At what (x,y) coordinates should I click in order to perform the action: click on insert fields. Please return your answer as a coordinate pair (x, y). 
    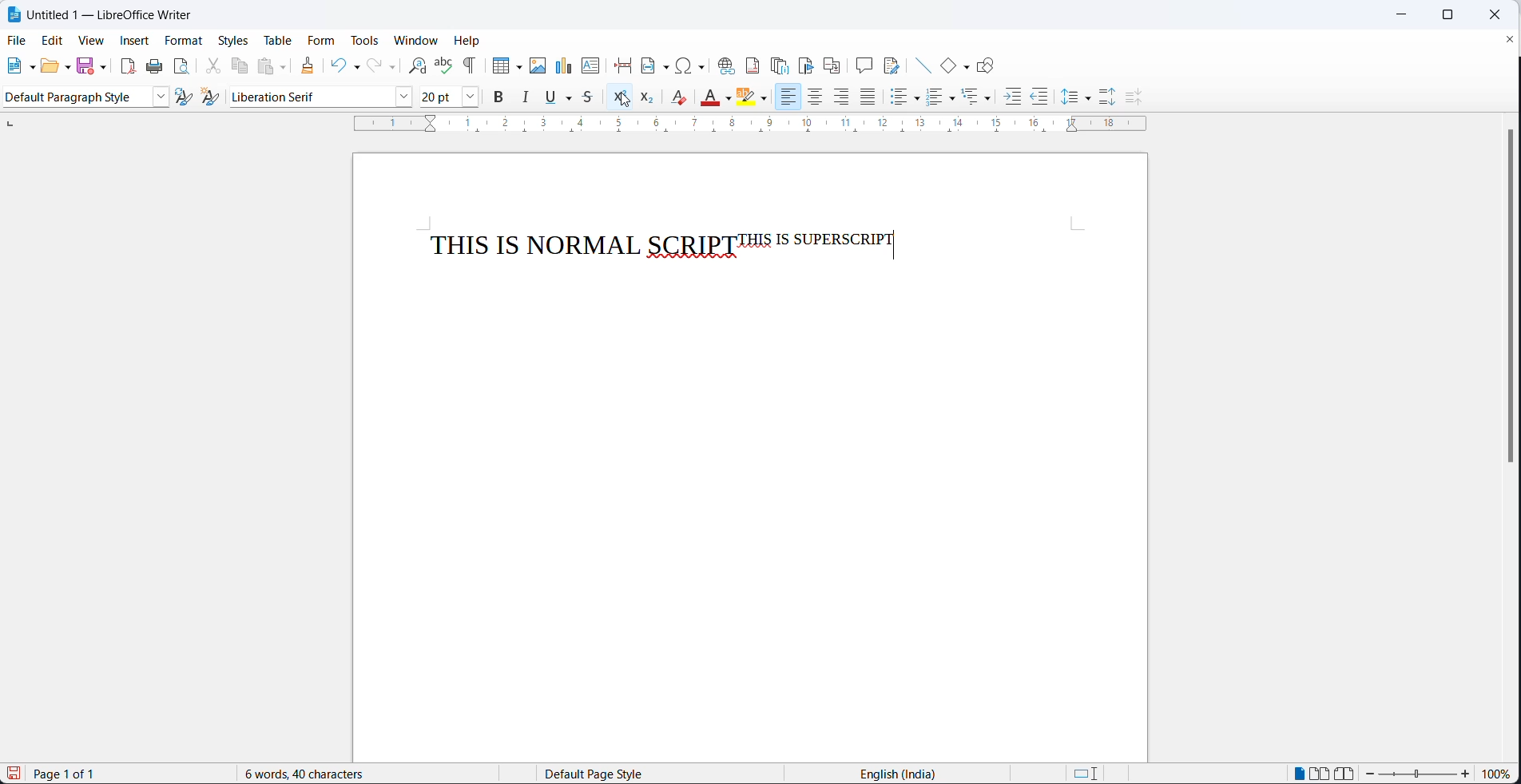
    Looking at the image, I should click on (654, 63).